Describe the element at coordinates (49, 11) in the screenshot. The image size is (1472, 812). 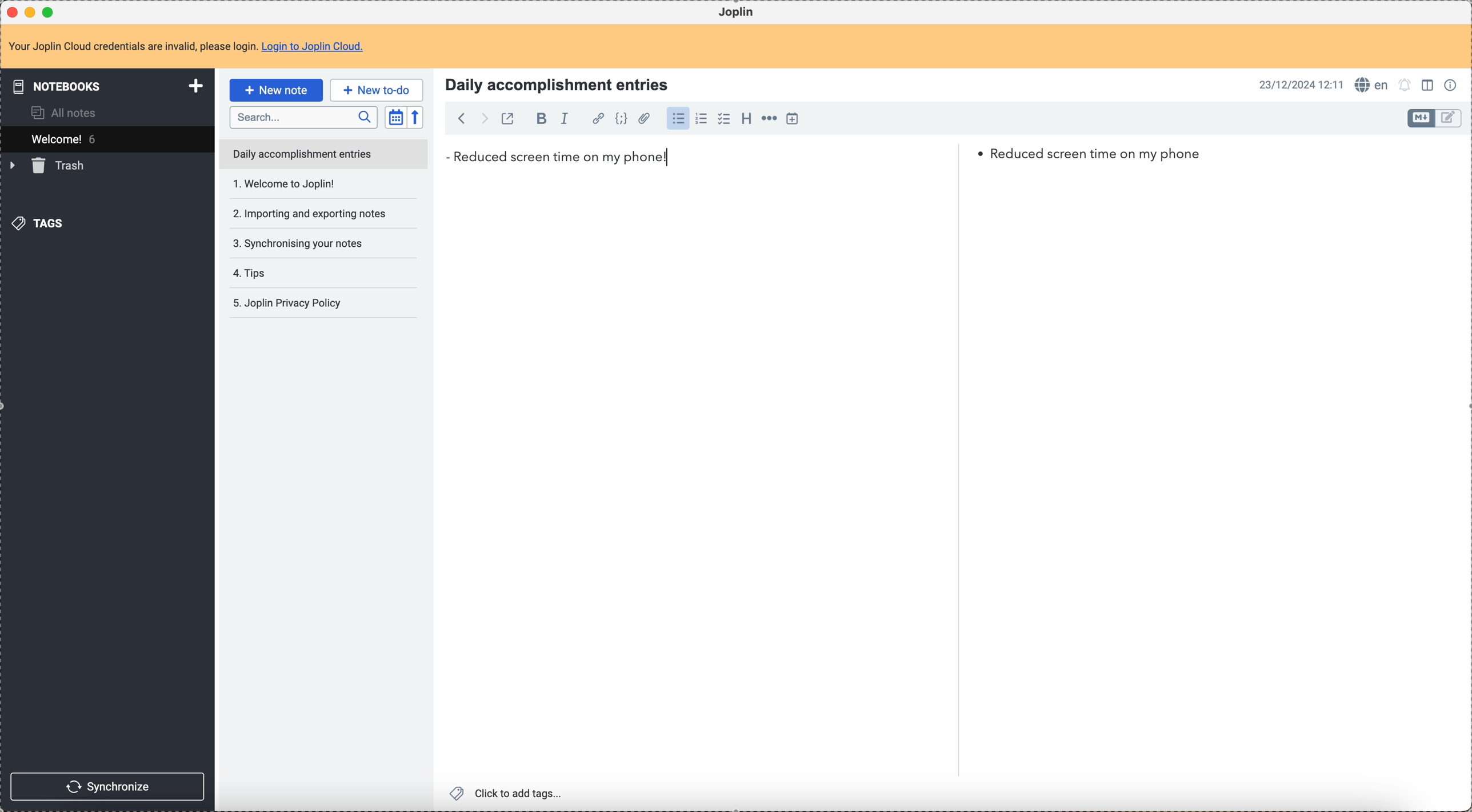
I see `maximize` at that location.